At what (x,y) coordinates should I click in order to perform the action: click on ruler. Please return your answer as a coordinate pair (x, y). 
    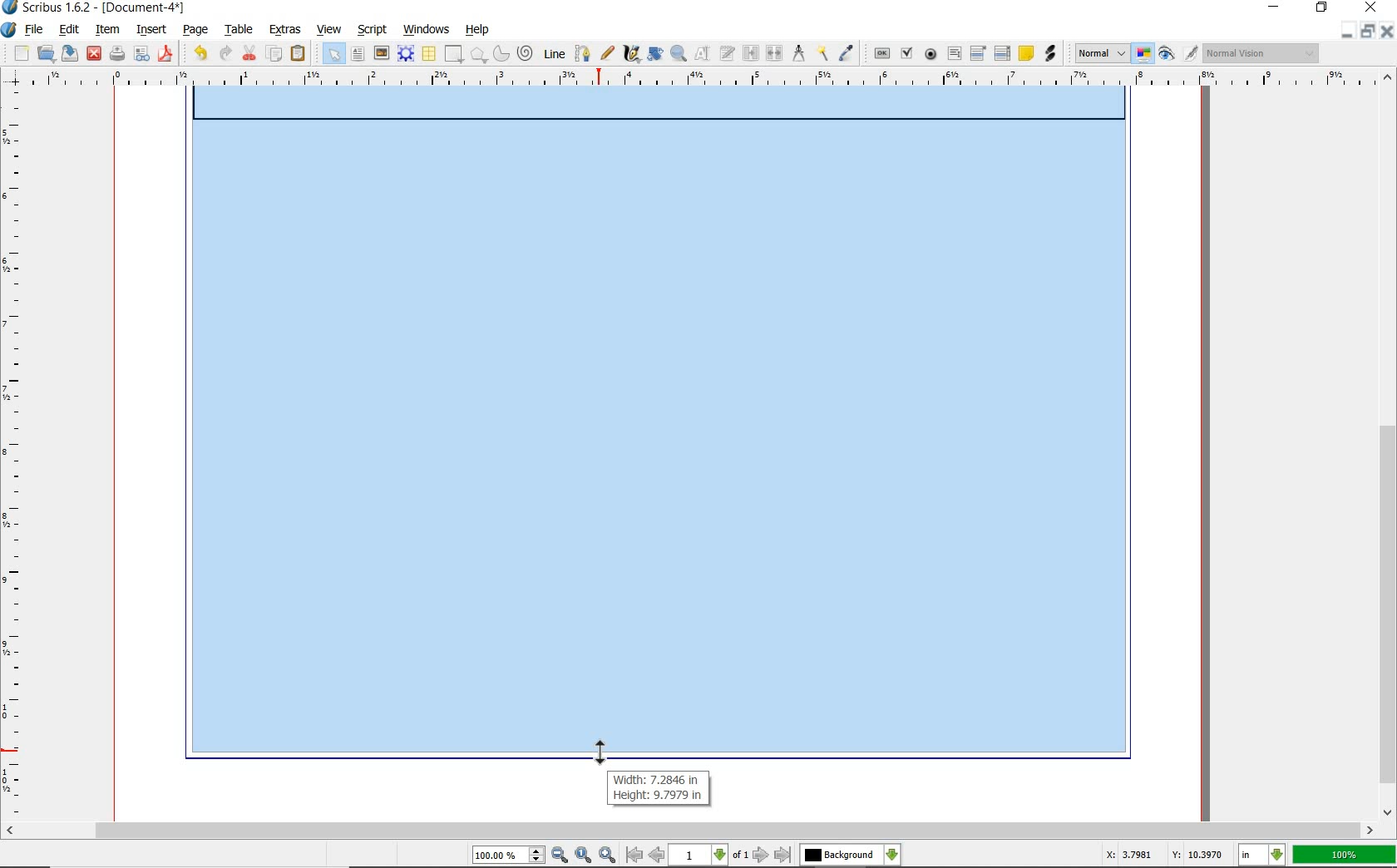
    Looking at the image, I should click on (701, 79).